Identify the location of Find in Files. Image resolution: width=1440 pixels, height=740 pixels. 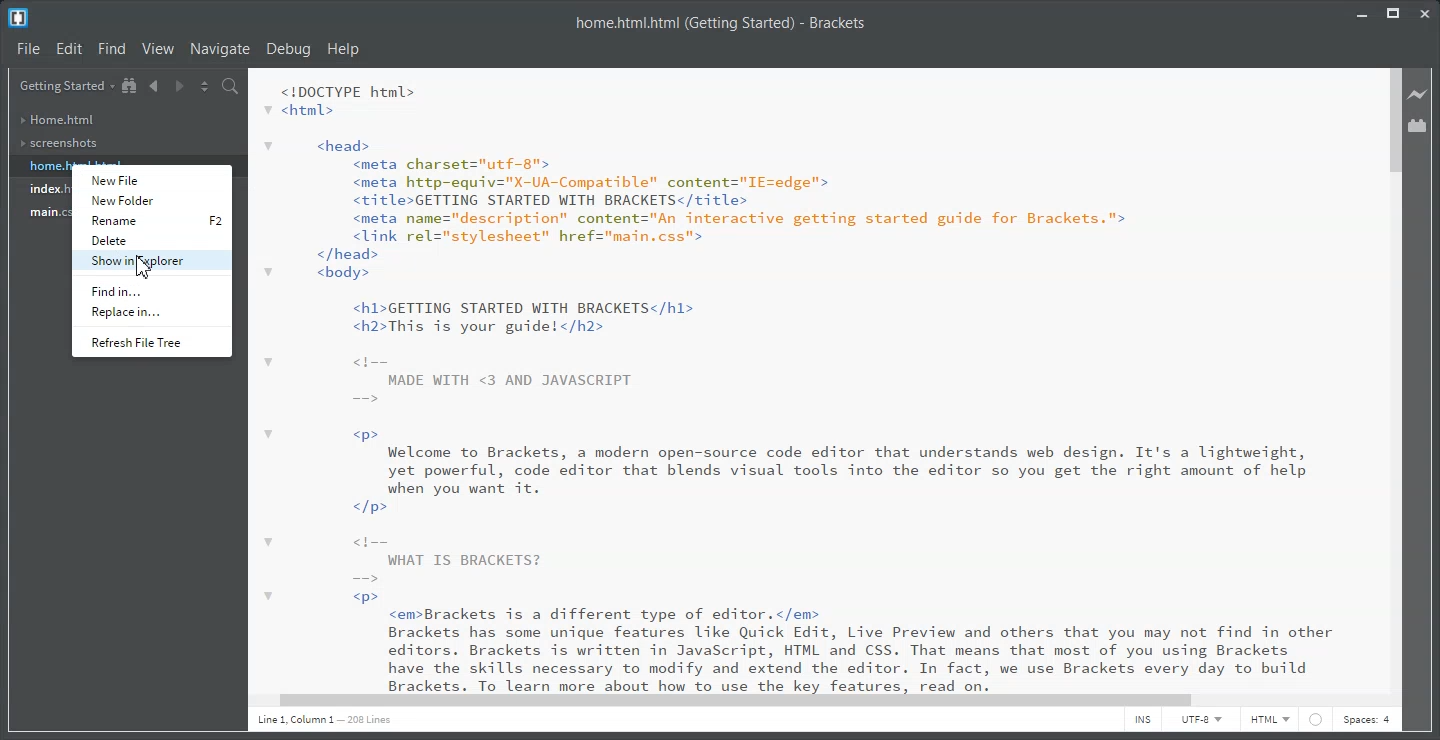
(232, 87).